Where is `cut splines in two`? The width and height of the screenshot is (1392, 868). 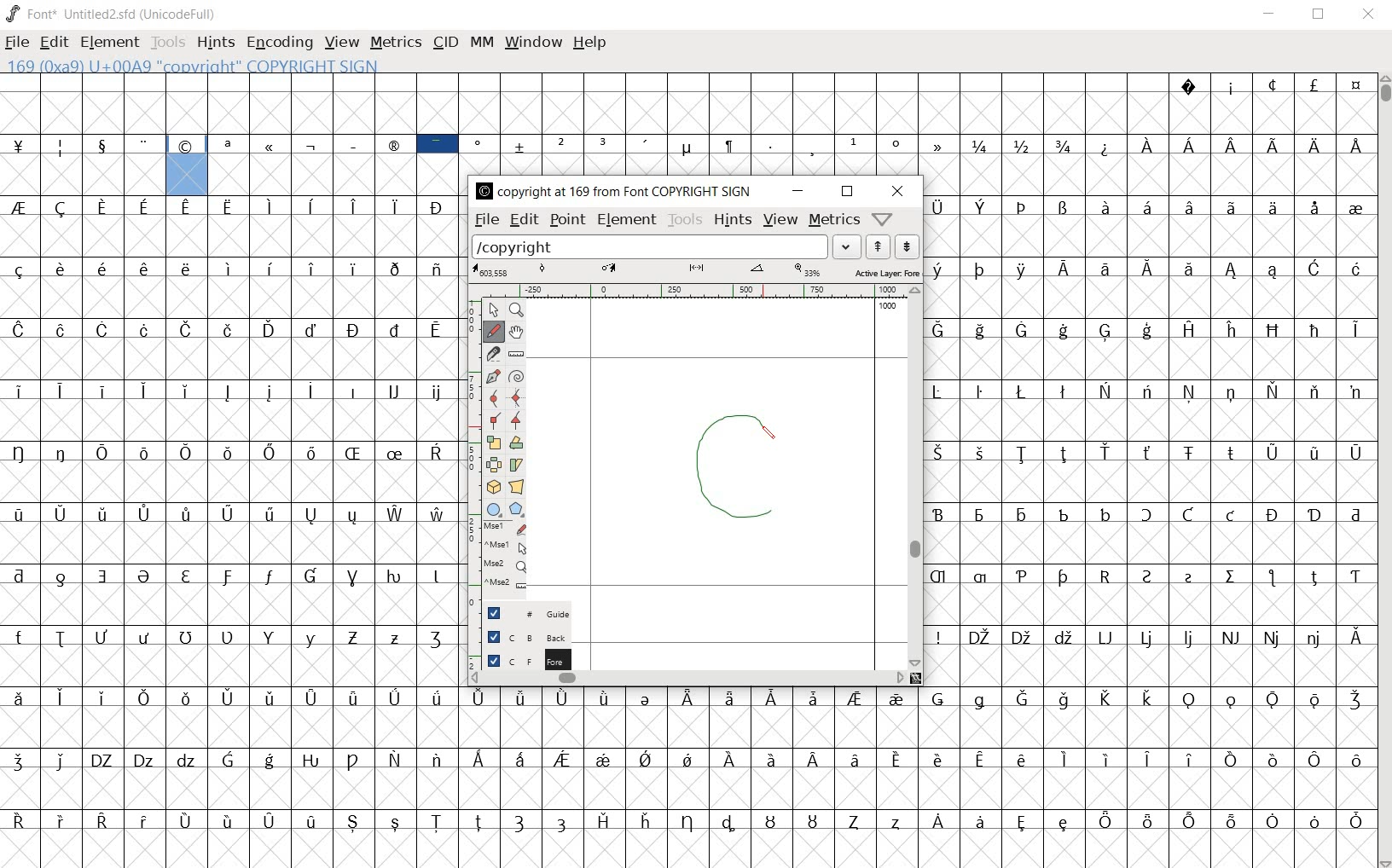
cut splines in two is located at coordinates (492, 353).